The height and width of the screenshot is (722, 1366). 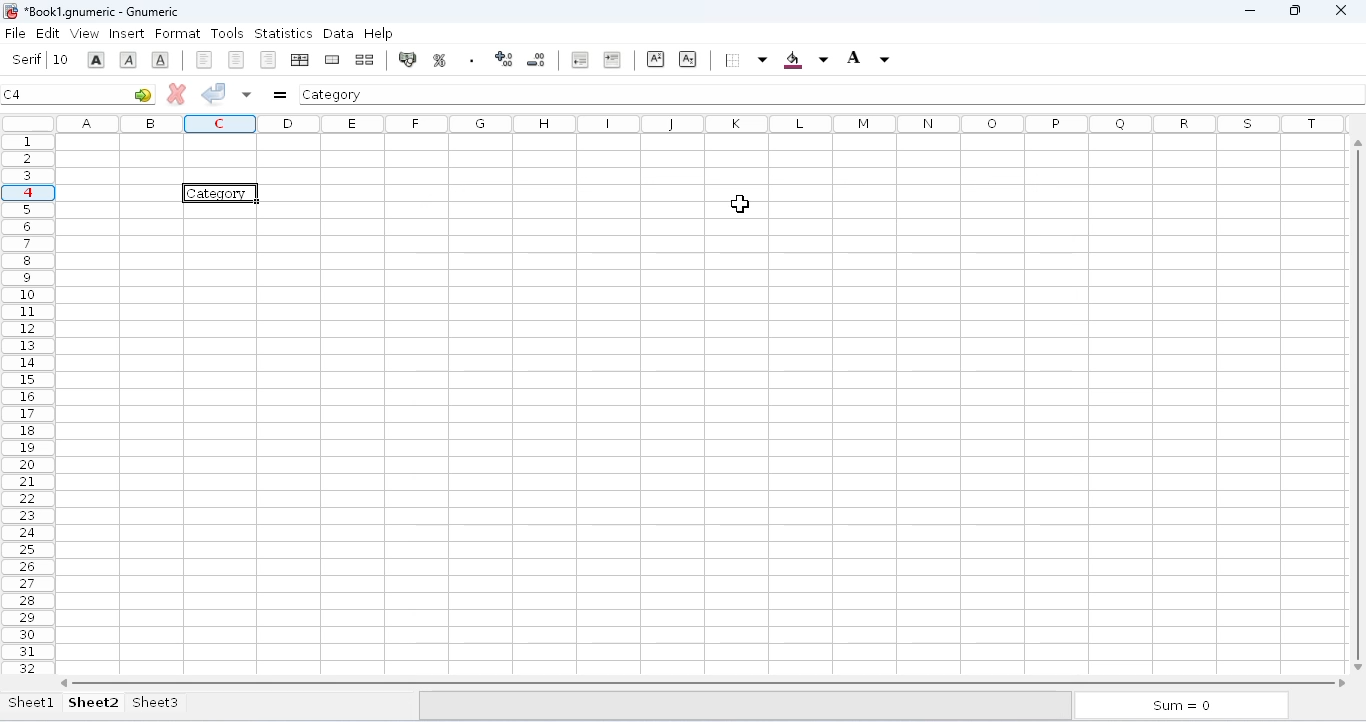 I want to click on sum = 0, so click(x=1178, y=706).